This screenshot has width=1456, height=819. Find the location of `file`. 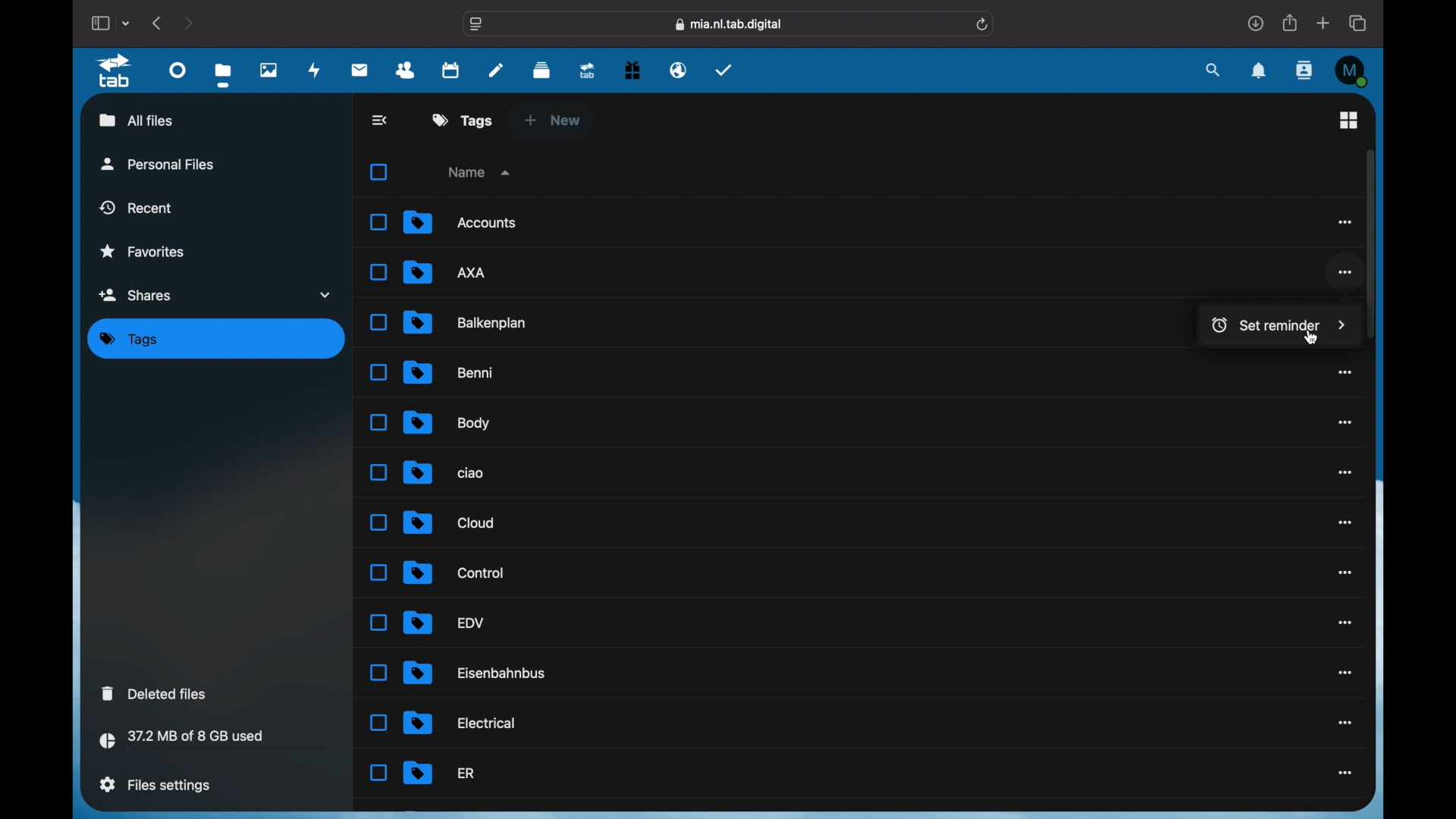

file is located at coordinates (477, 673).